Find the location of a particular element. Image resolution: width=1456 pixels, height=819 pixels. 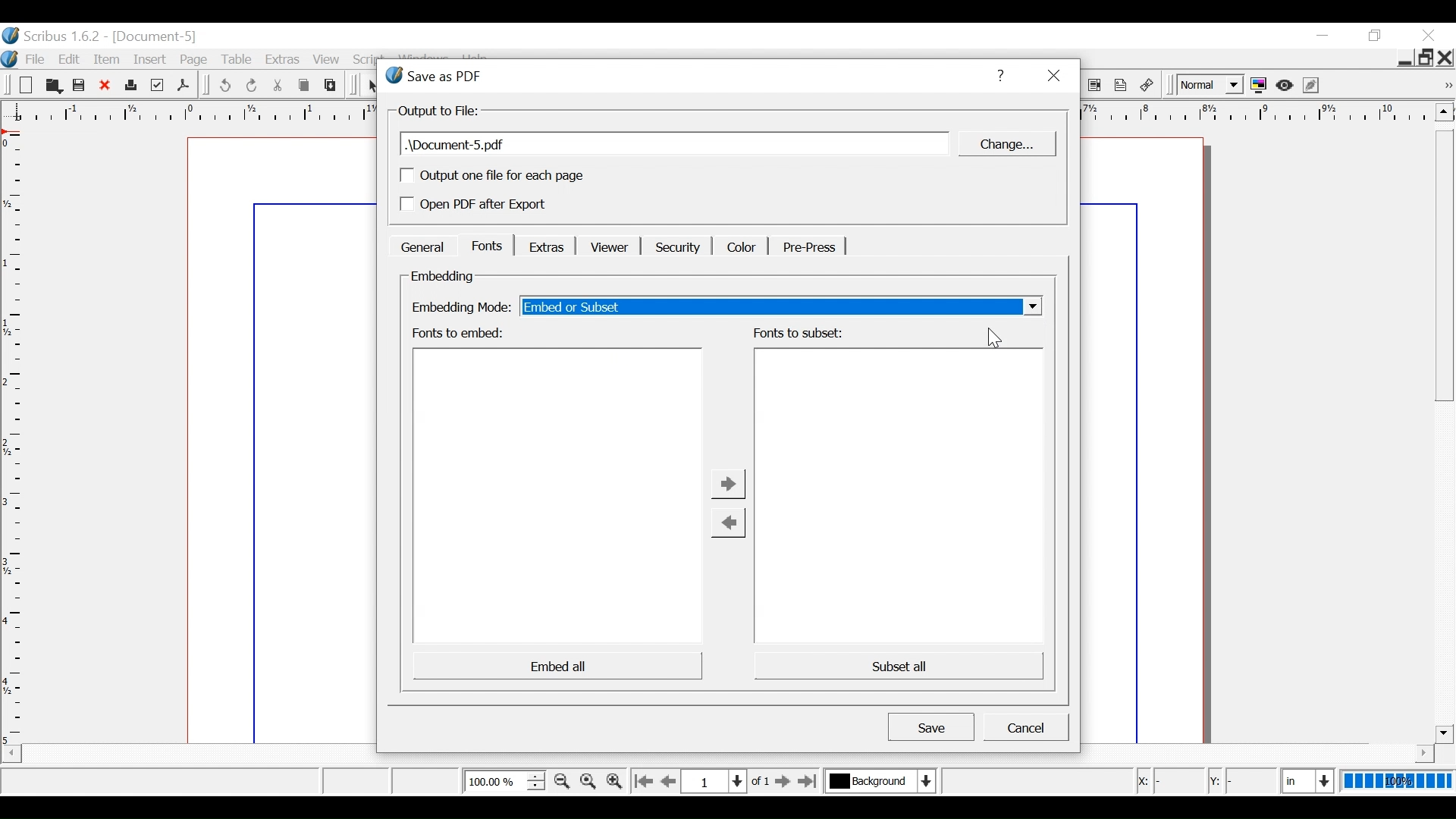

Go to the last page is located at coordinates (809, 781).